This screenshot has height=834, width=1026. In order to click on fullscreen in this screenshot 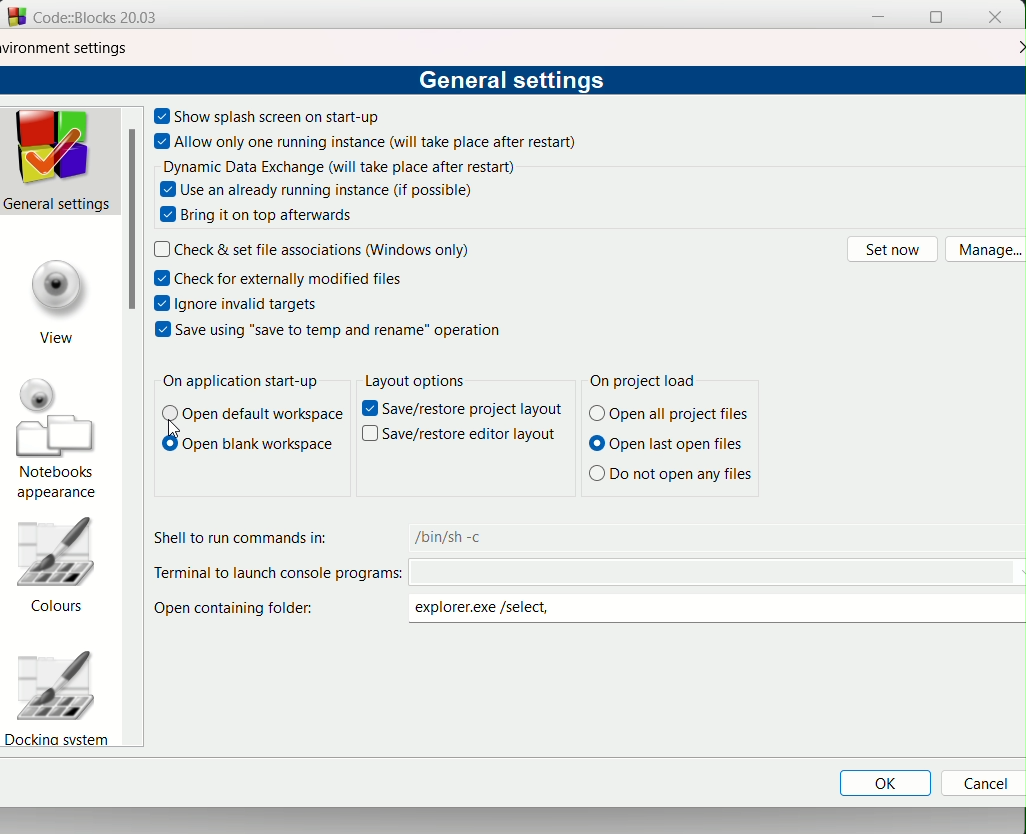, I will do `click(934, 18)`.